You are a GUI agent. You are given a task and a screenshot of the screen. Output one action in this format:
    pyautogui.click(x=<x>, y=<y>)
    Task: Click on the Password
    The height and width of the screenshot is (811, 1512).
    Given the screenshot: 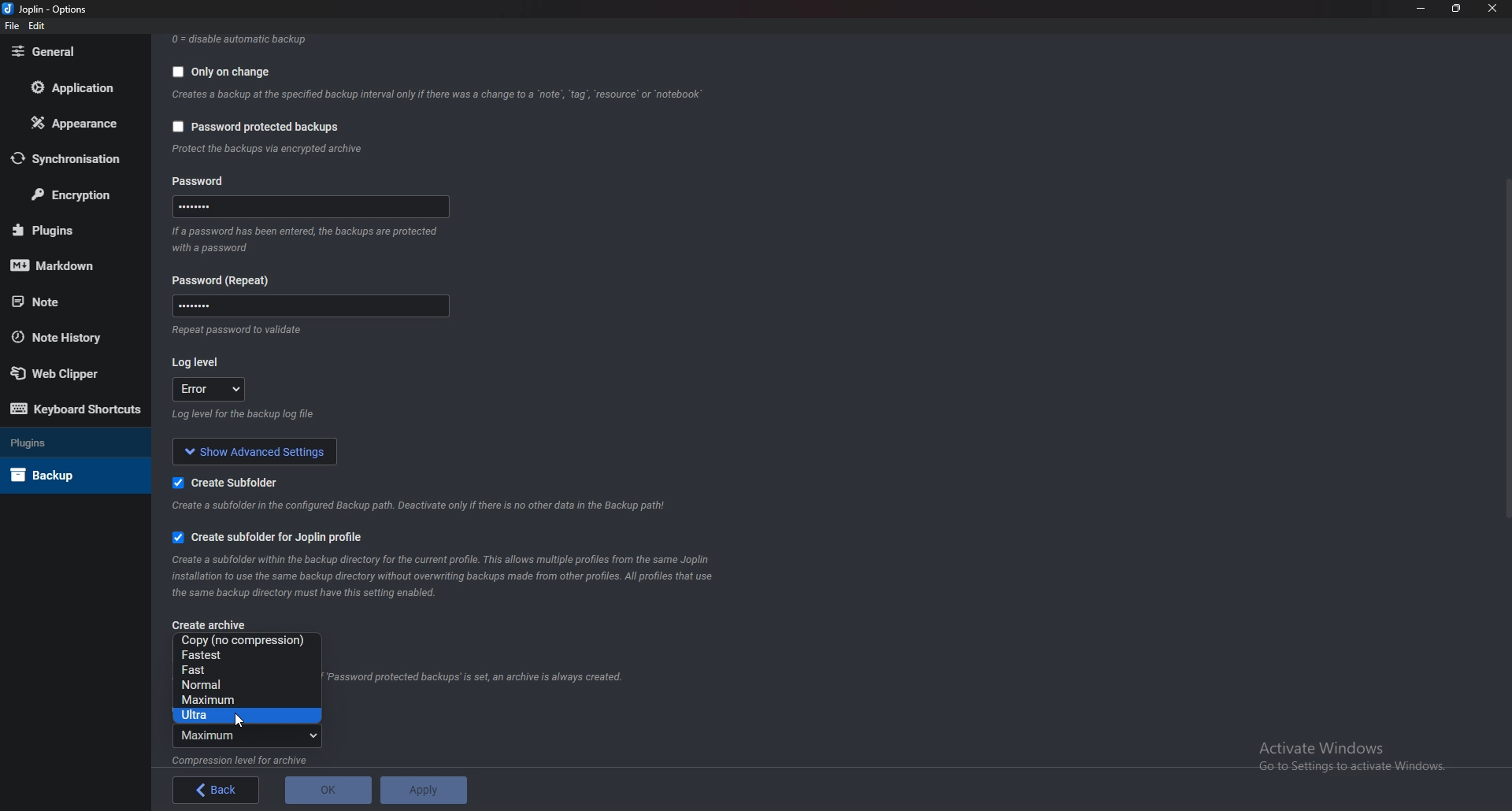 What is the action you would take?
    pyautogui.click(x=206, y=183)
    